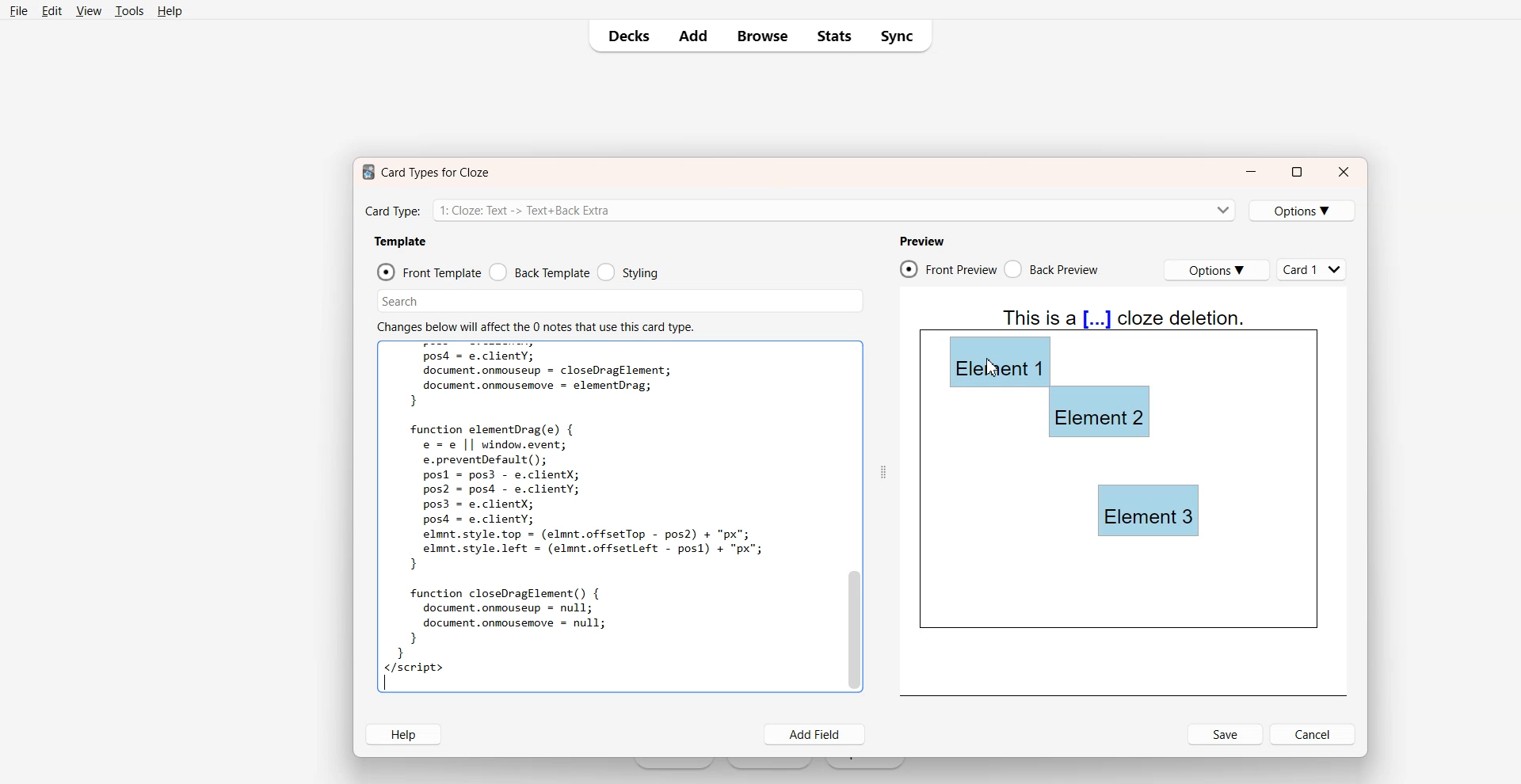 The width and height of the screenshot is (1521, 784). Describe the element at coordinates (1314, 734) in the screenshot. I see `Cancel` at that location.